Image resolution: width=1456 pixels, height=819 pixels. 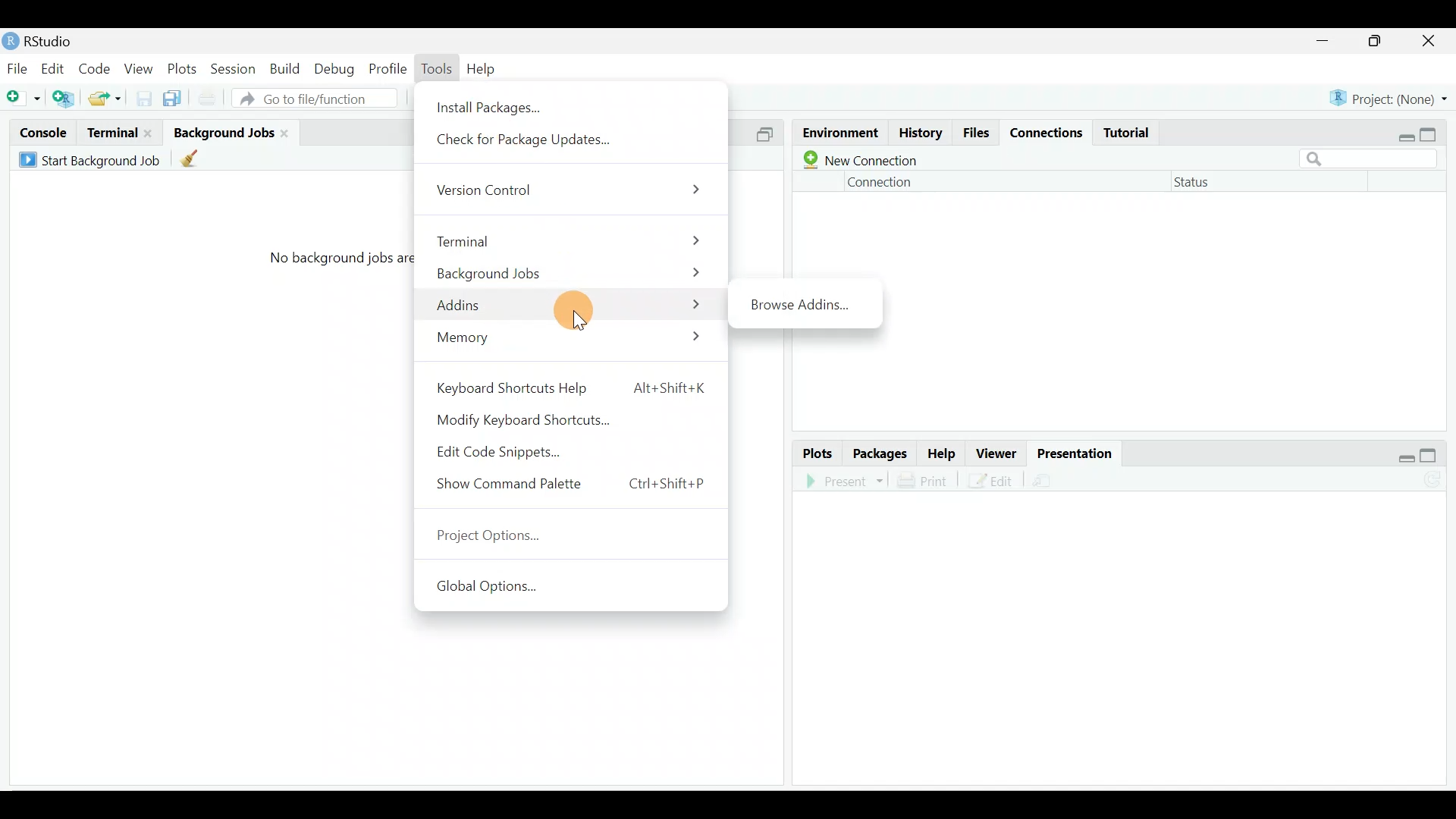 What do you see at coordinates (992, 482) in the screenshot?
I see `Edit` at bounding box center [992, 482].